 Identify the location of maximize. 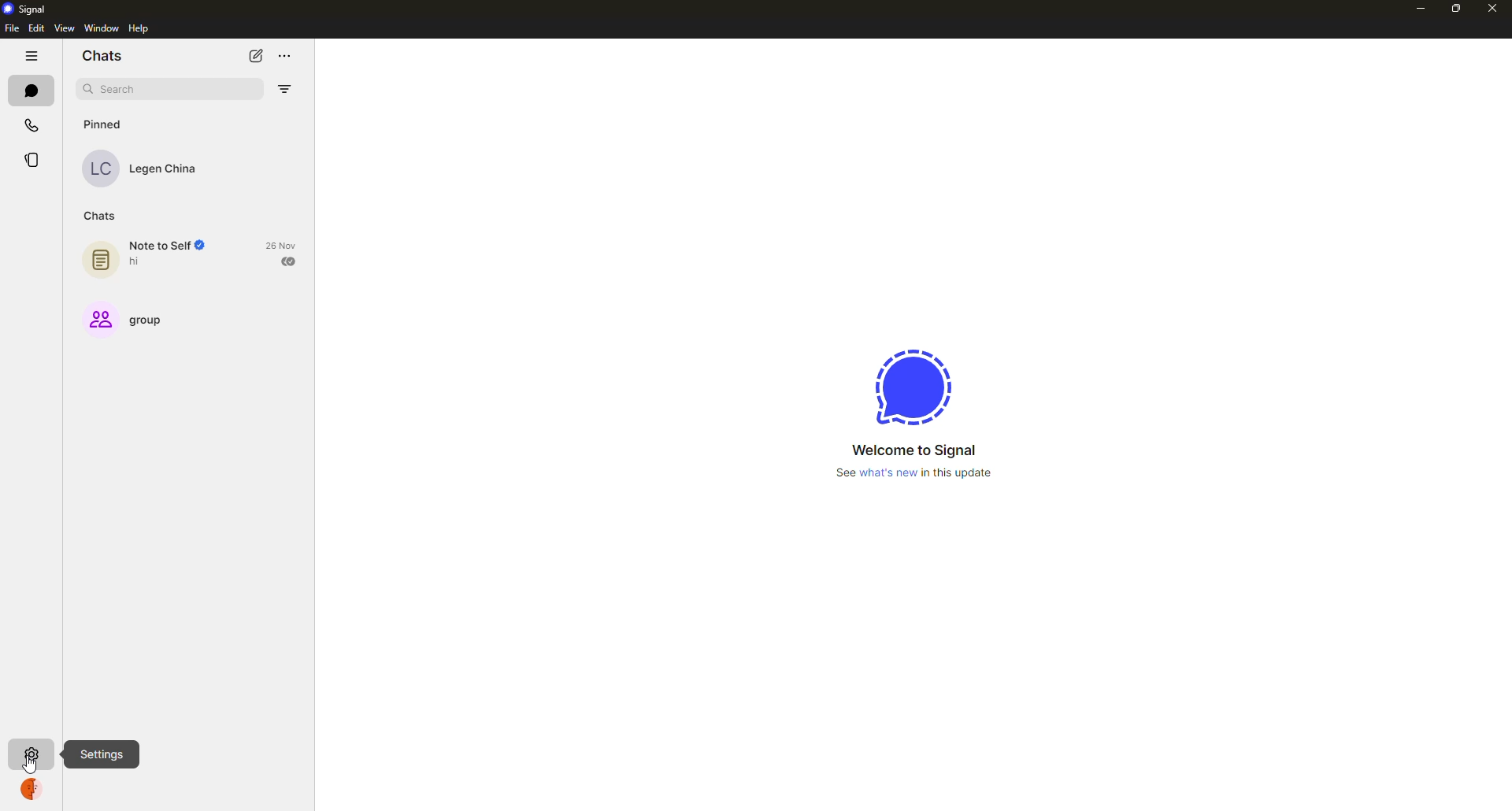
(1454, 10).